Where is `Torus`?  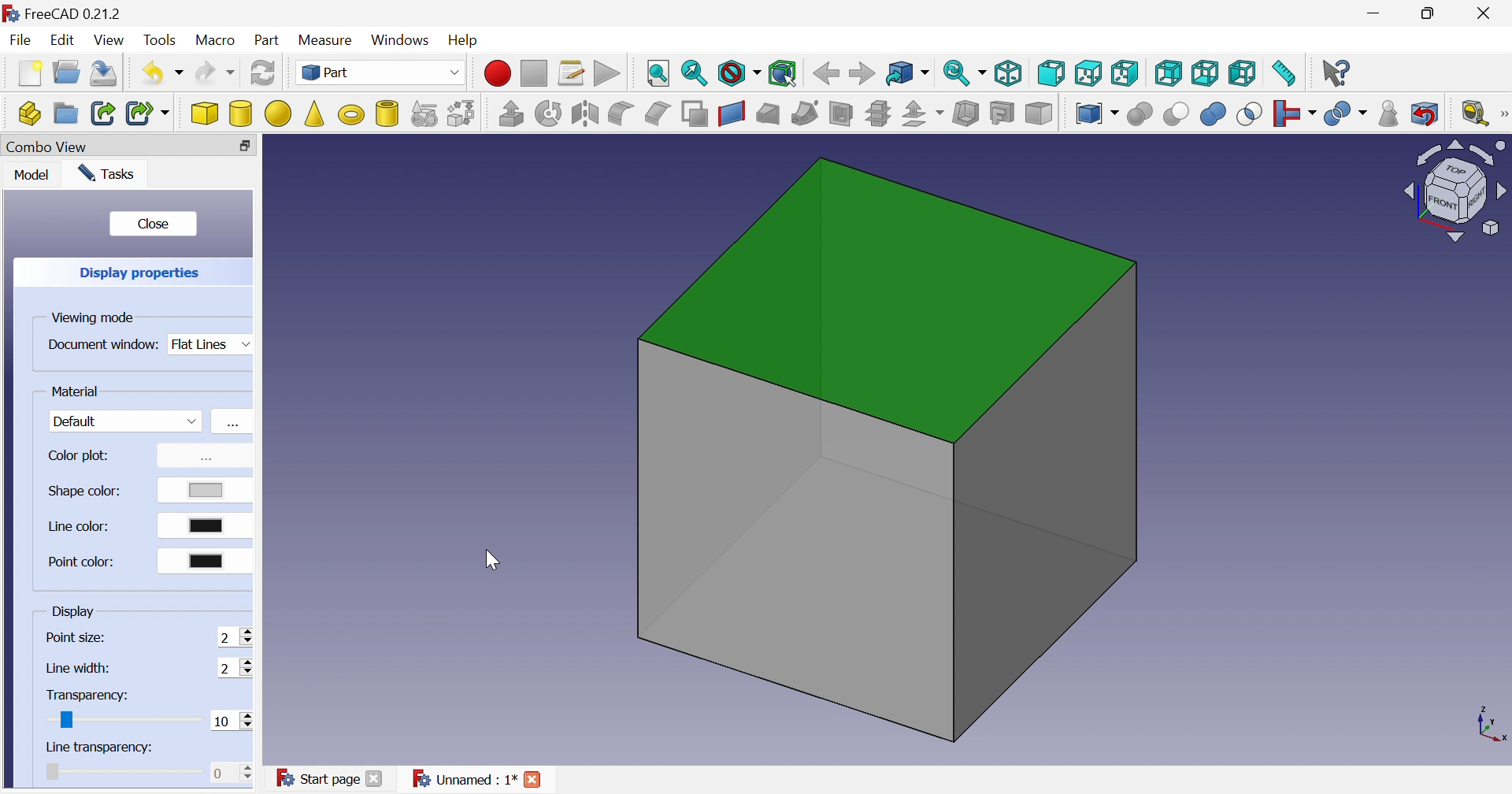
Torus is located at coordinates (354, 117).